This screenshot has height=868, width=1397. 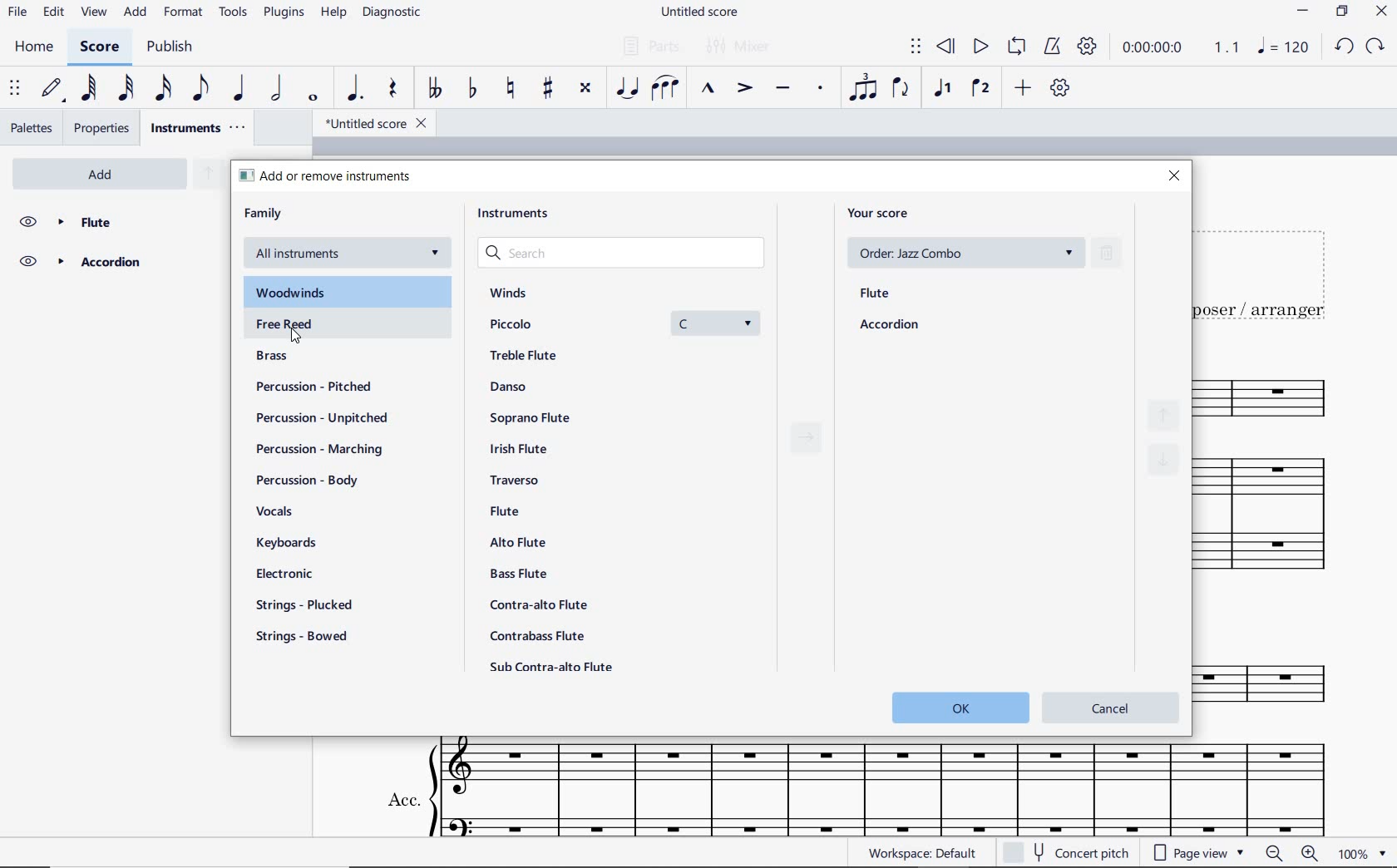 I want to click on Playback speed, so click(x=1228, y=47).